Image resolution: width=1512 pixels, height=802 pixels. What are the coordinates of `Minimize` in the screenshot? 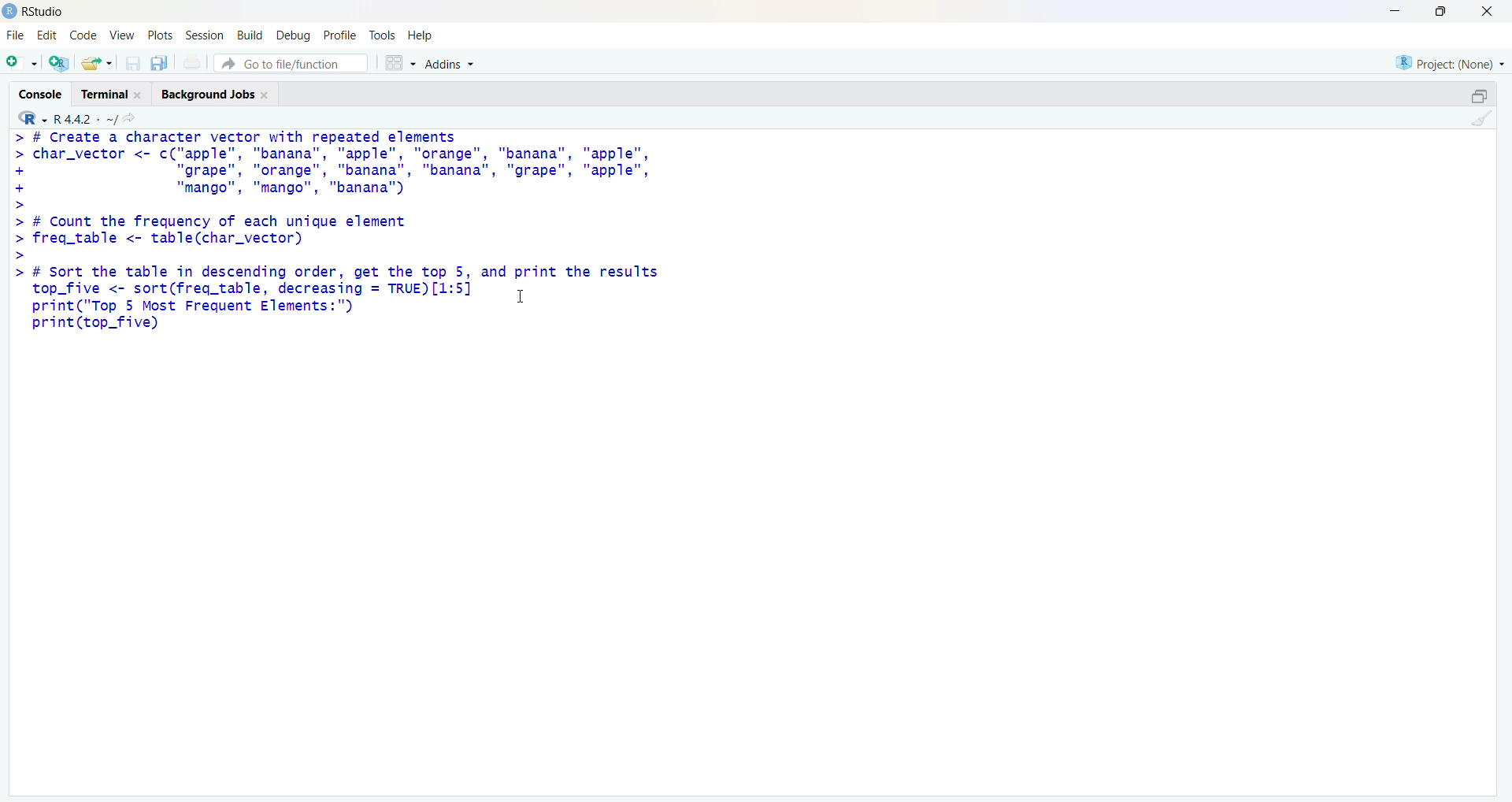 It's located at (1389, 13).